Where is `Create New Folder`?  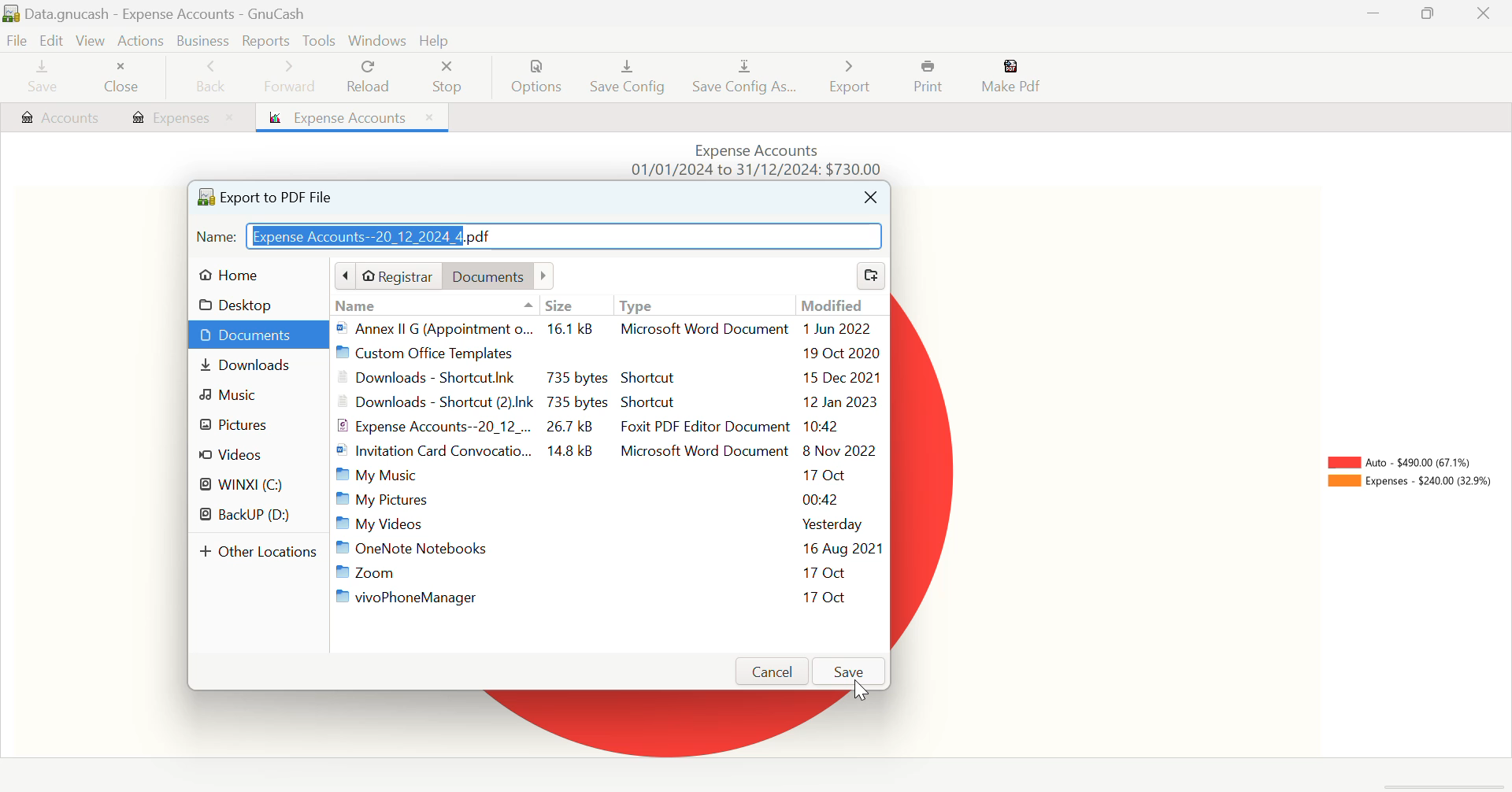 Create New Folder is located at coordinates (873, 277).